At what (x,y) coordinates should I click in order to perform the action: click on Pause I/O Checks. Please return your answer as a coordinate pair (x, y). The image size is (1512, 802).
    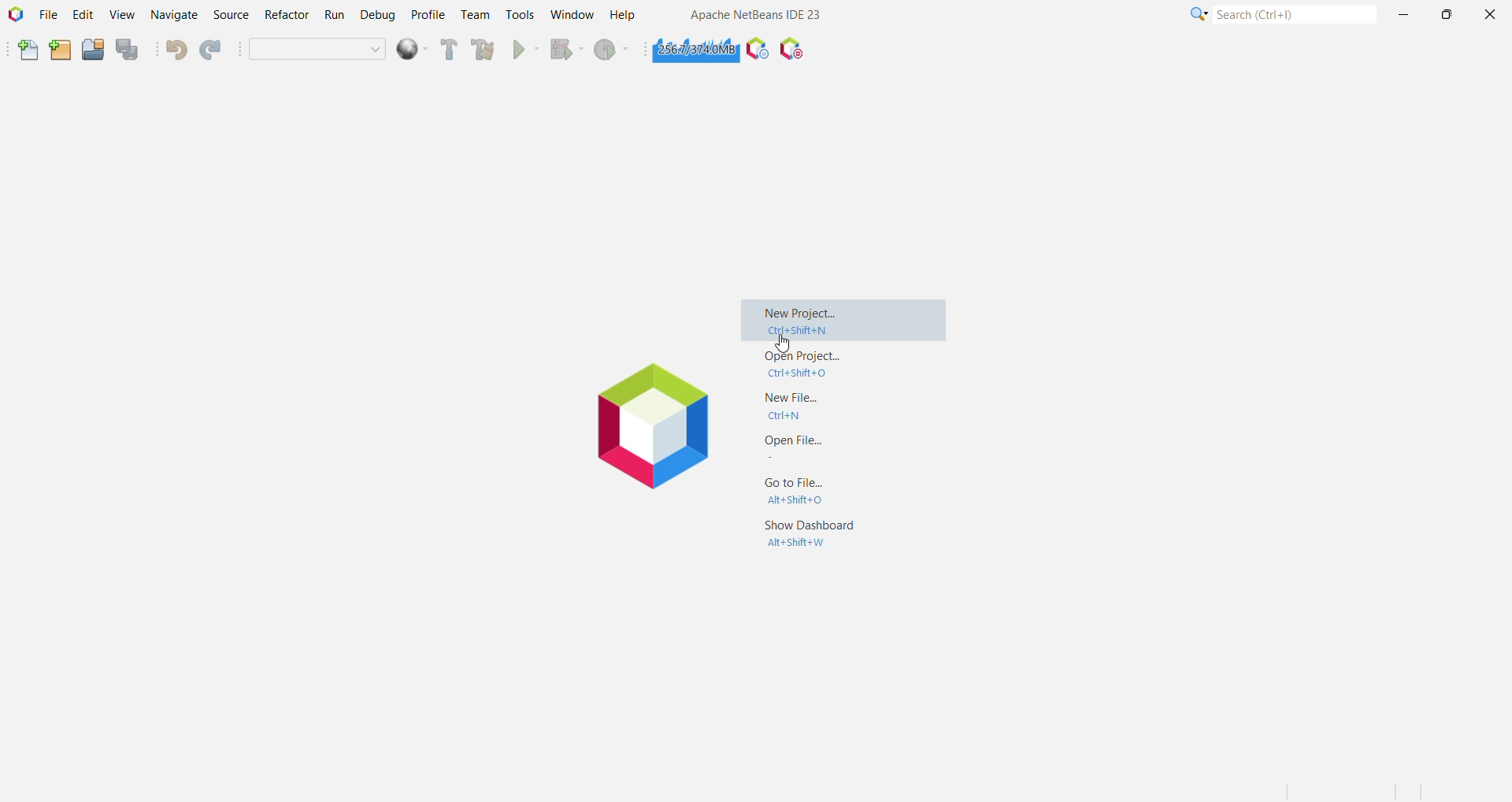
    Looking at the image, I should click on (793, 51).